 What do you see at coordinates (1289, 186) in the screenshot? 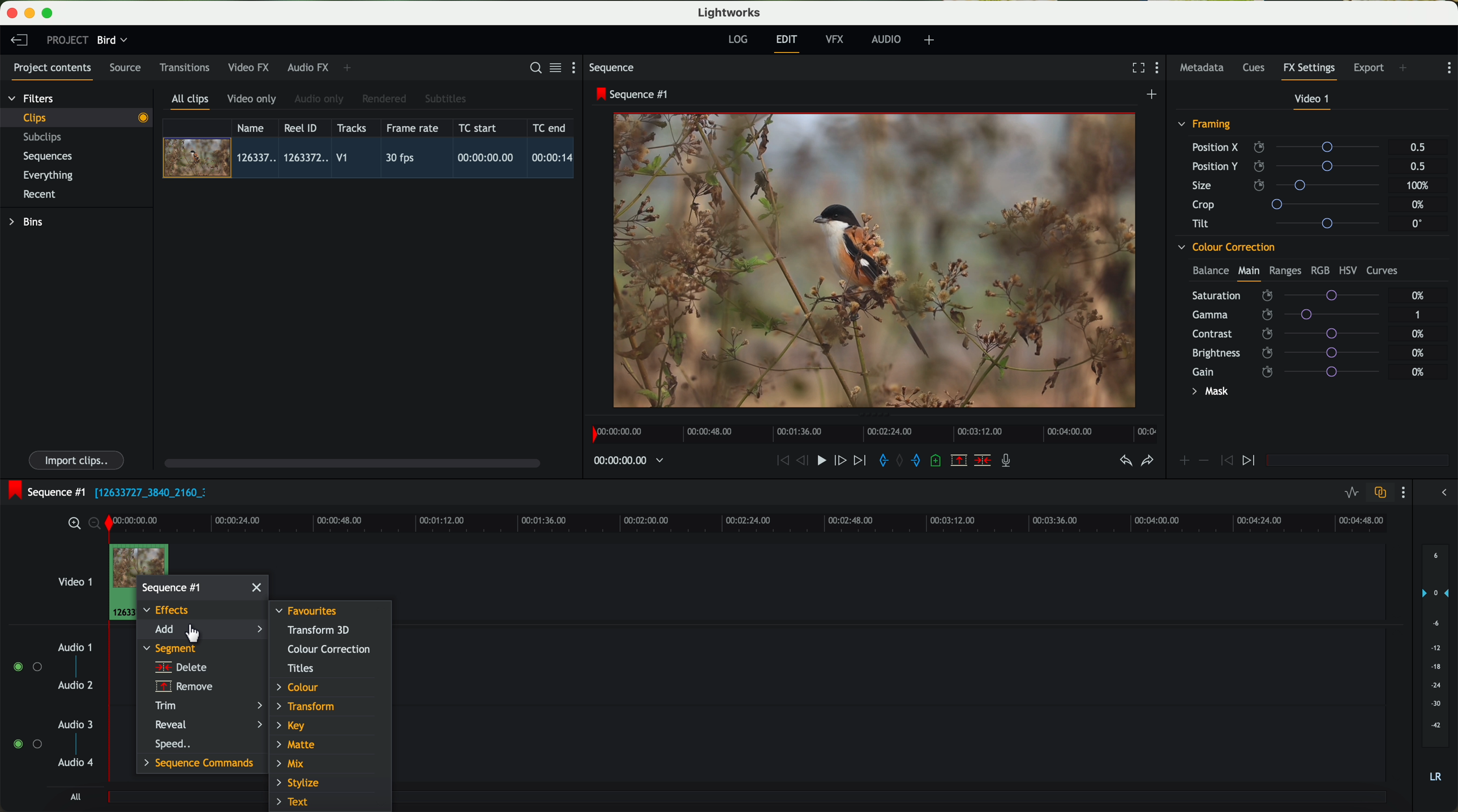
I see `size` at bounding box center [1289, 186].